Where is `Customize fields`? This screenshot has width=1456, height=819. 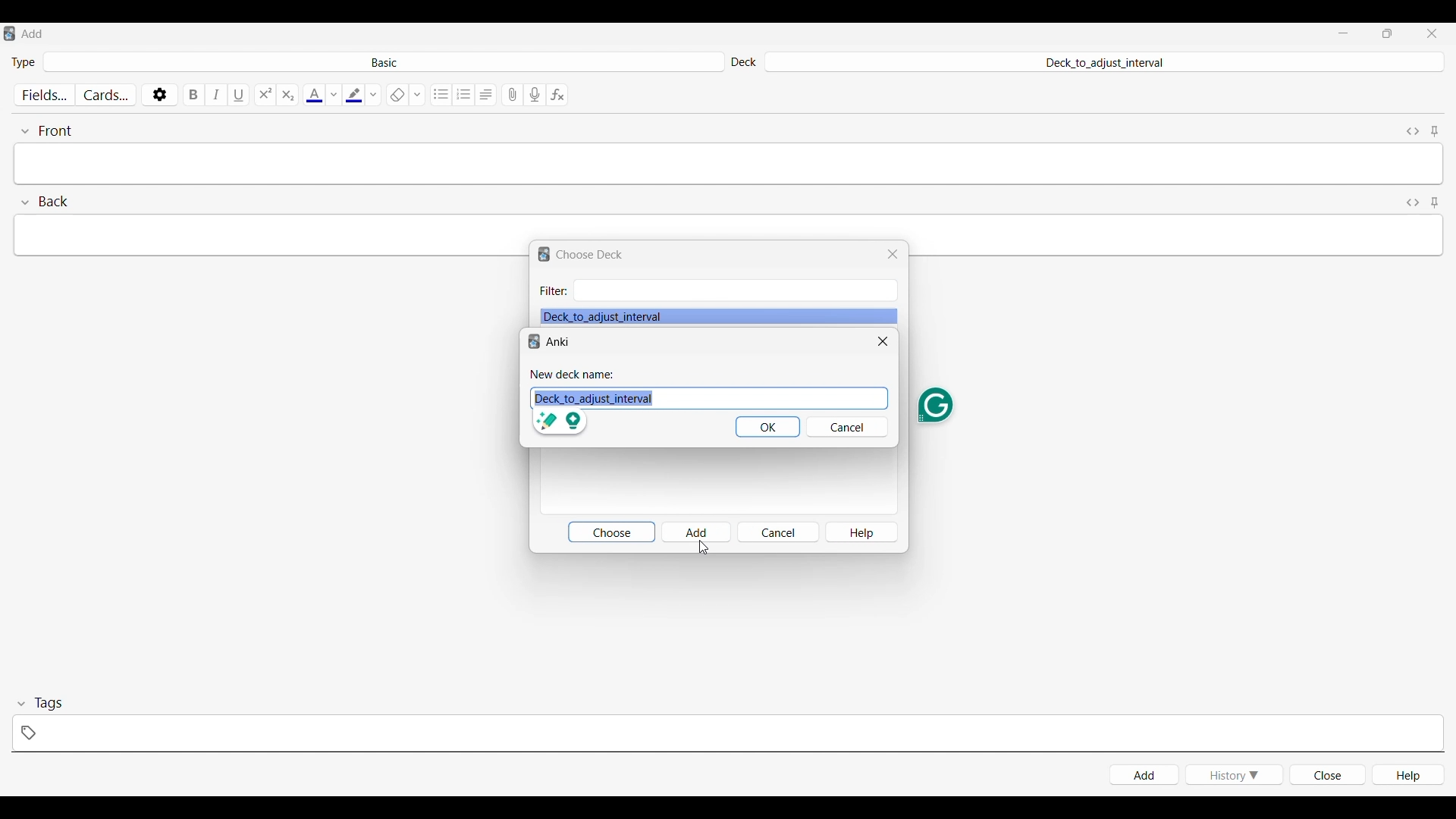 Customize fields is located at coordinates (46, 95).